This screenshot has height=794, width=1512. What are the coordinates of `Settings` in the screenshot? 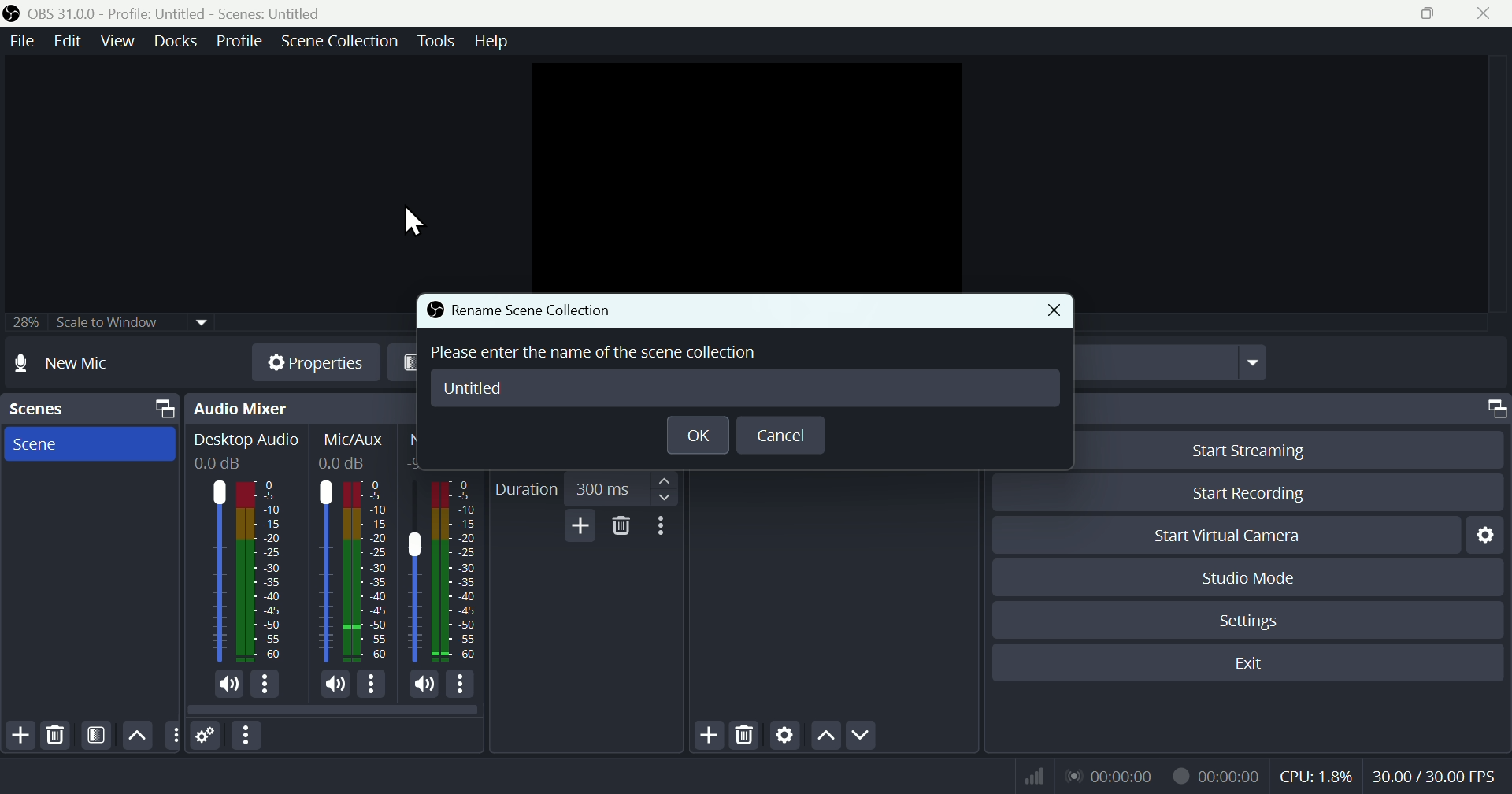 It's located at (210, 734).